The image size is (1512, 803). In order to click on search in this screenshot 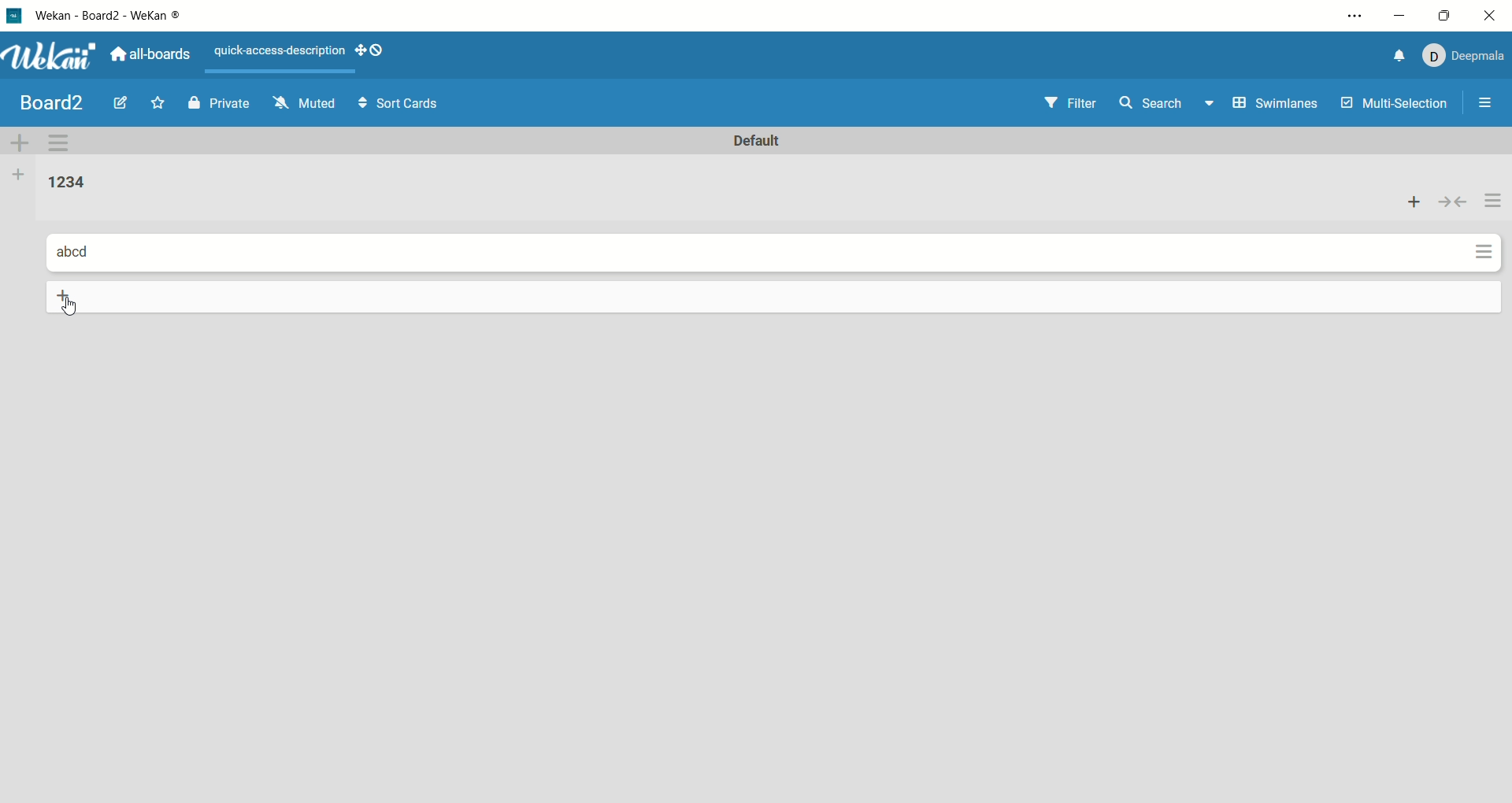, I will do `click(1170, 101)`.